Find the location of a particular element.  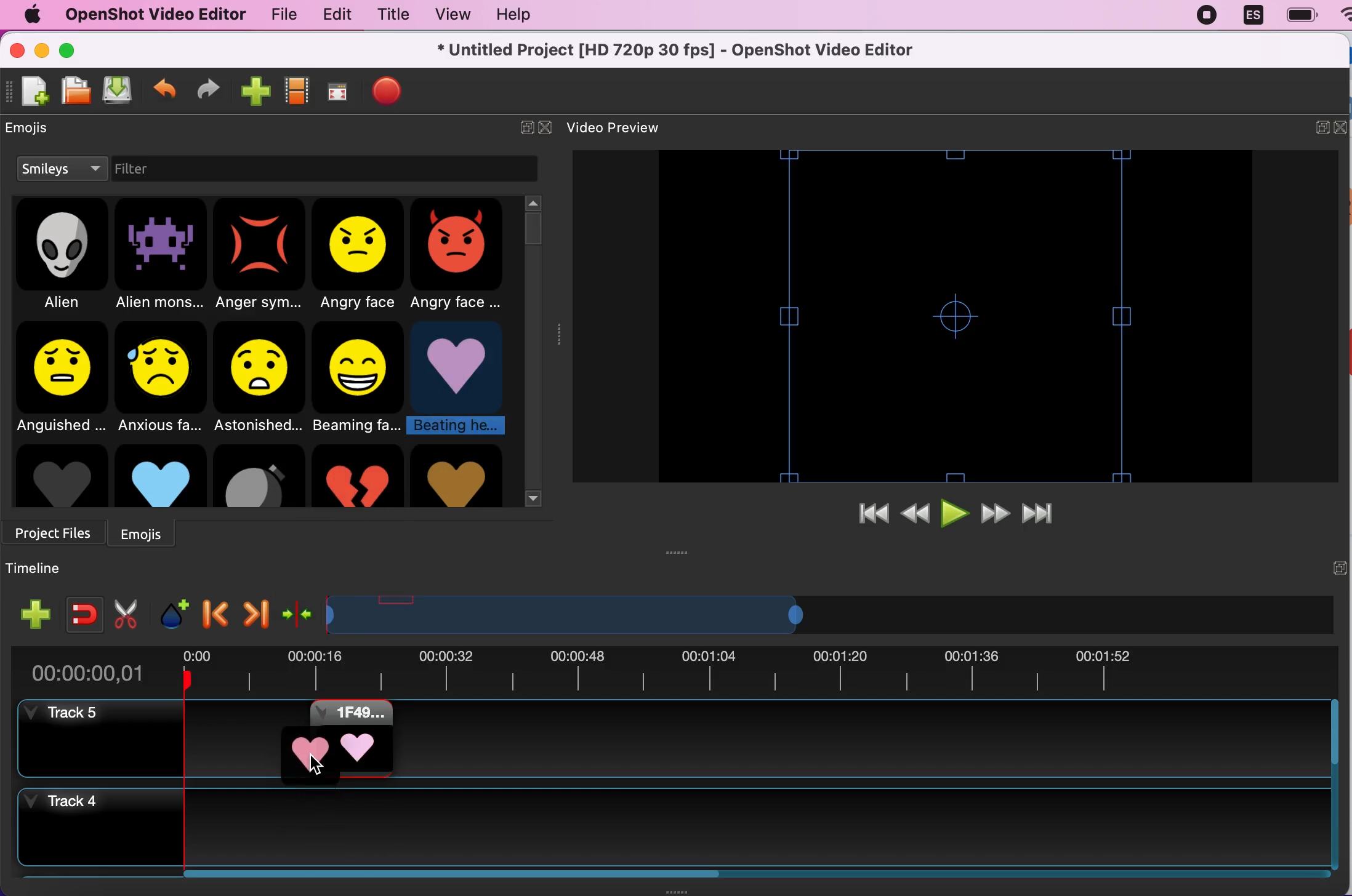

fast forward is located at coordinates (994, 511).